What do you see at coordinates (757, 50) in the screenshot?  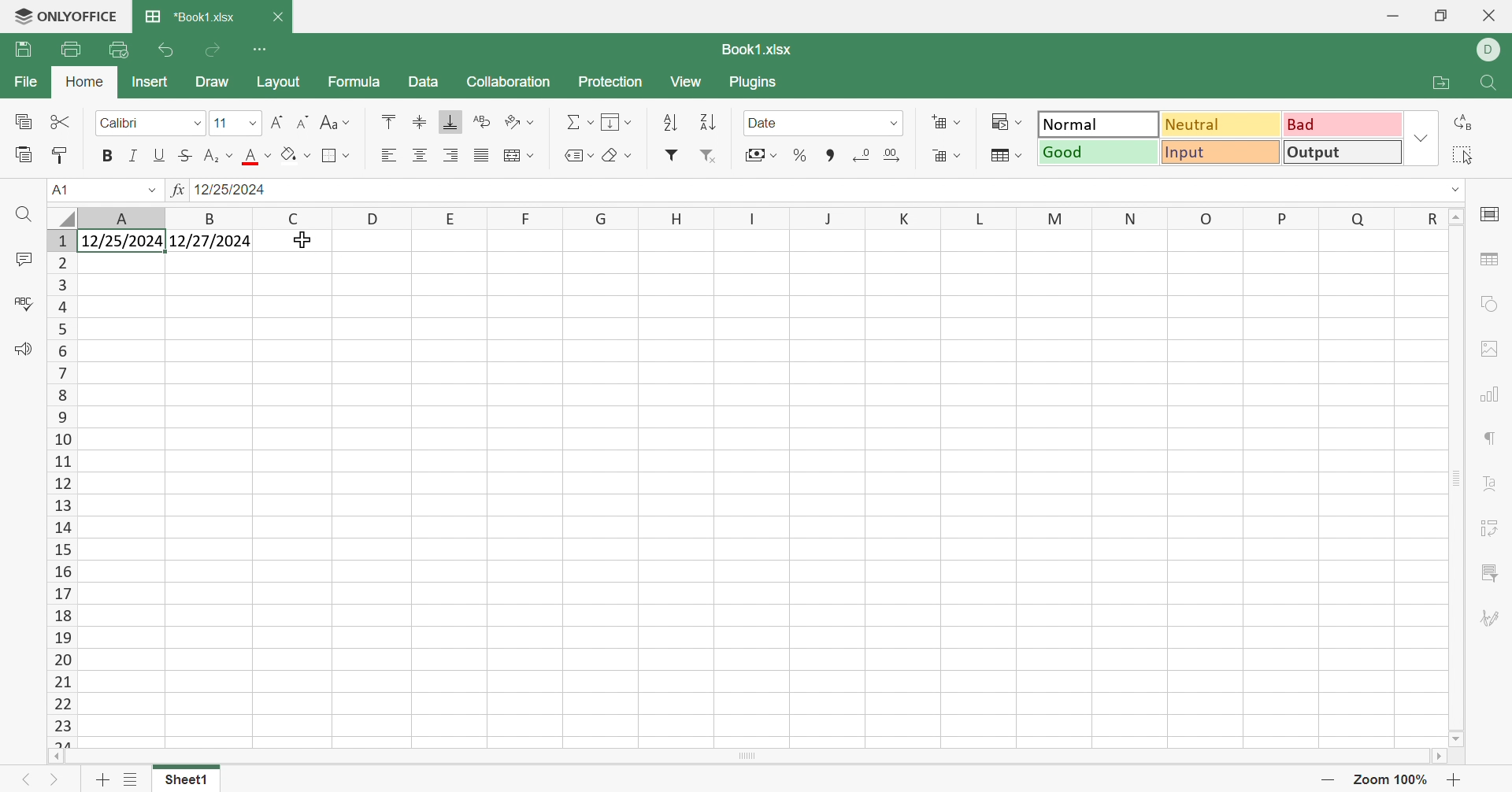 I see `Book1.xlsx` at bounding box center [757, 50].